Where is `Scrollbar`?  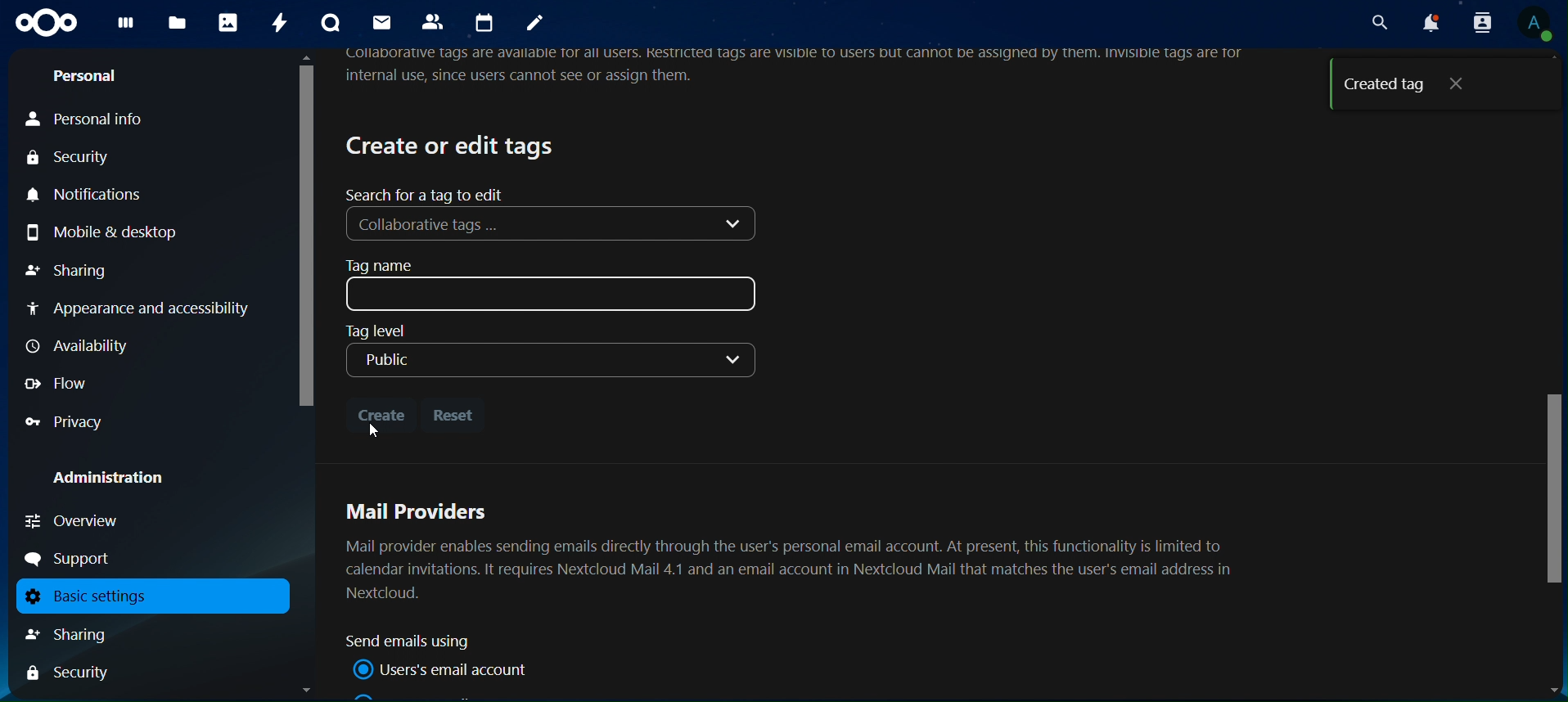
Scrollbar is located at coordinates (304, 374).